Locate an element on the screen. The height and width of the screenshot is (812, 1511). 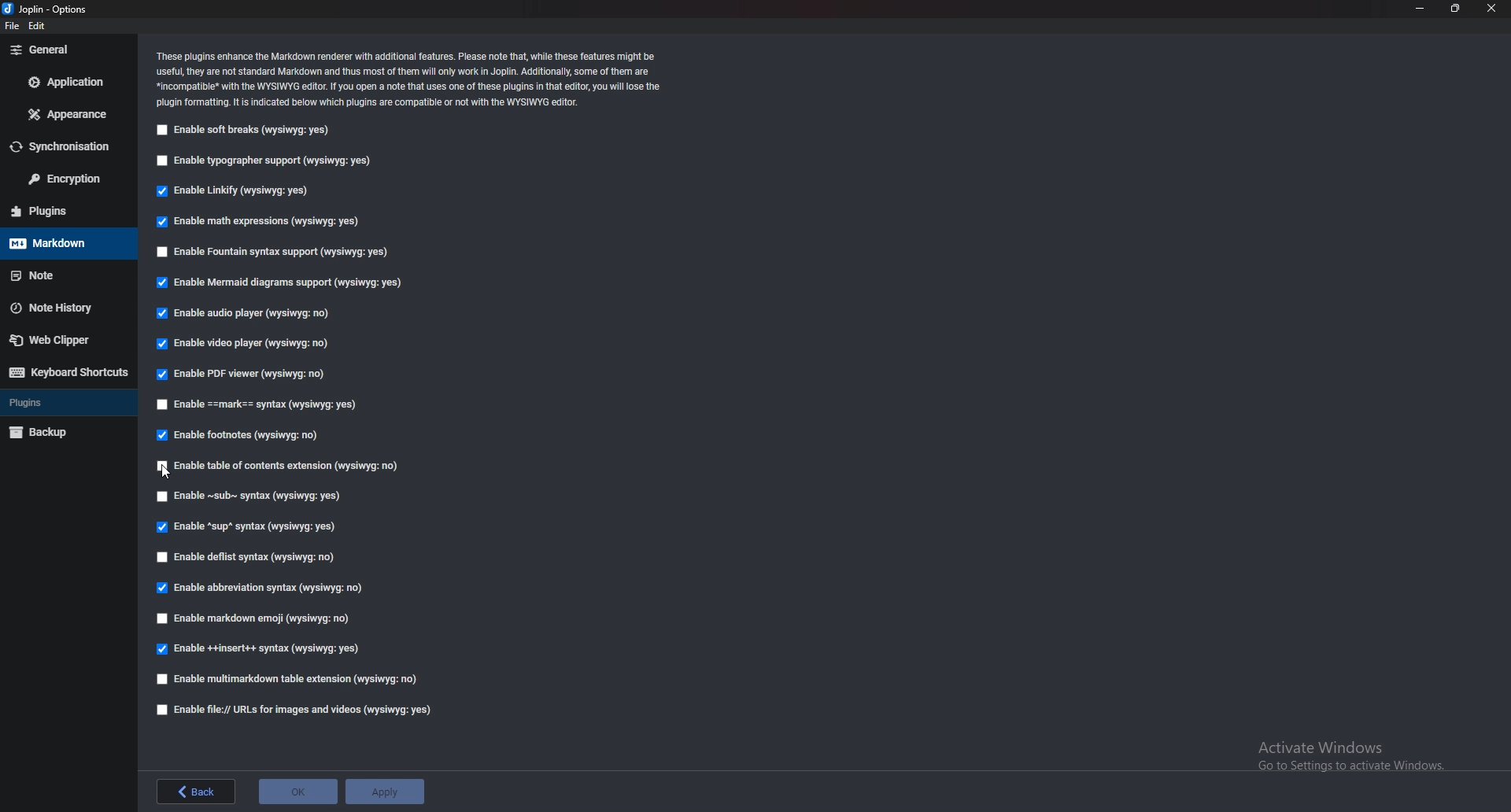
Synchronization is located at coordinates (67, 147).